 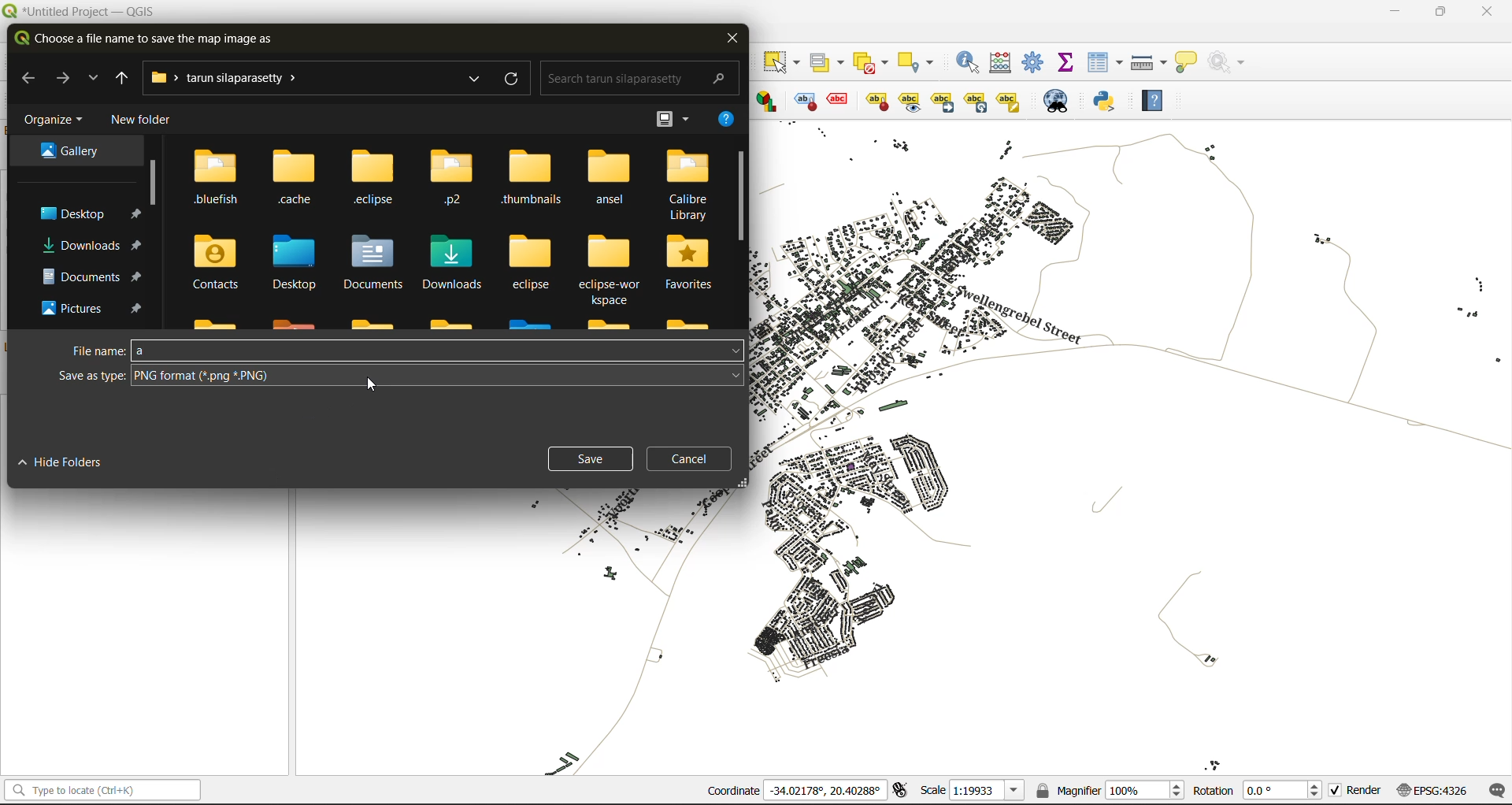 I want to click on select location, so click(x=921, y=61).